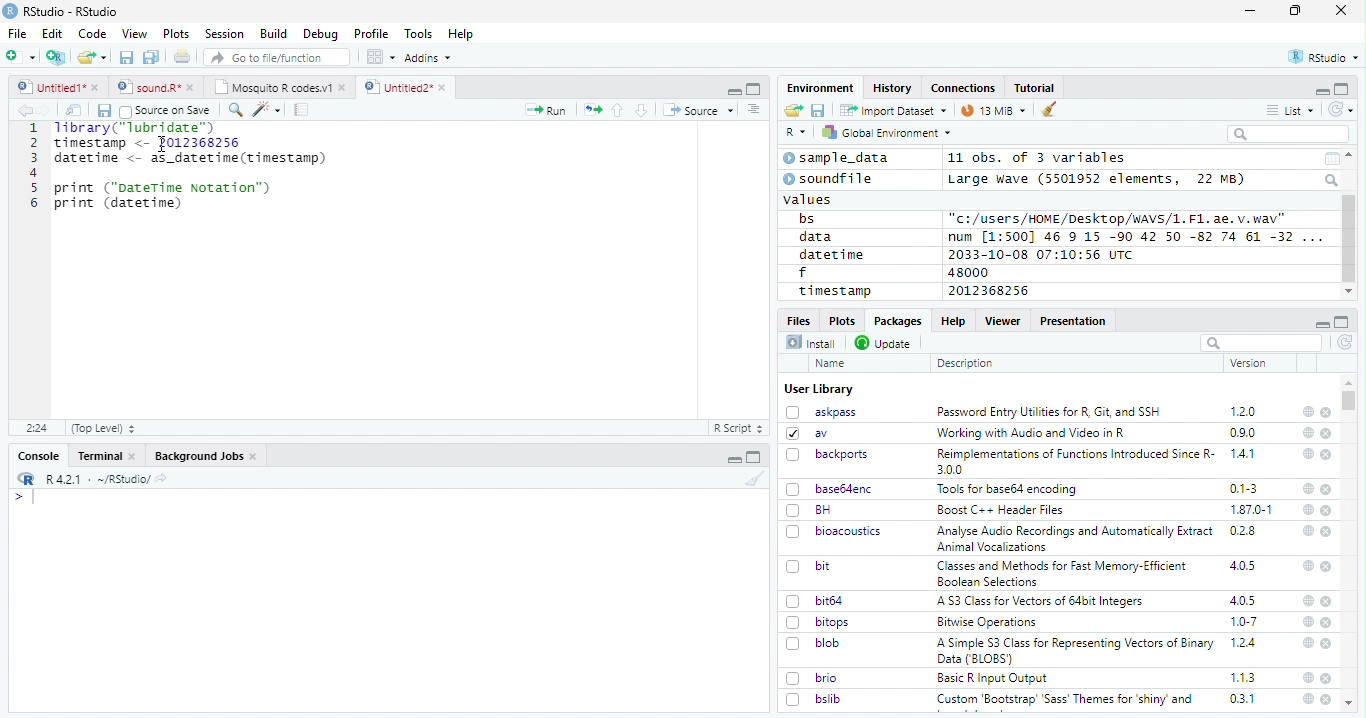 This screenshot has height=718, width=1366. Describe the element at coordinates (1244, 453) in the screenshot. I see `1.4.1` at that location.